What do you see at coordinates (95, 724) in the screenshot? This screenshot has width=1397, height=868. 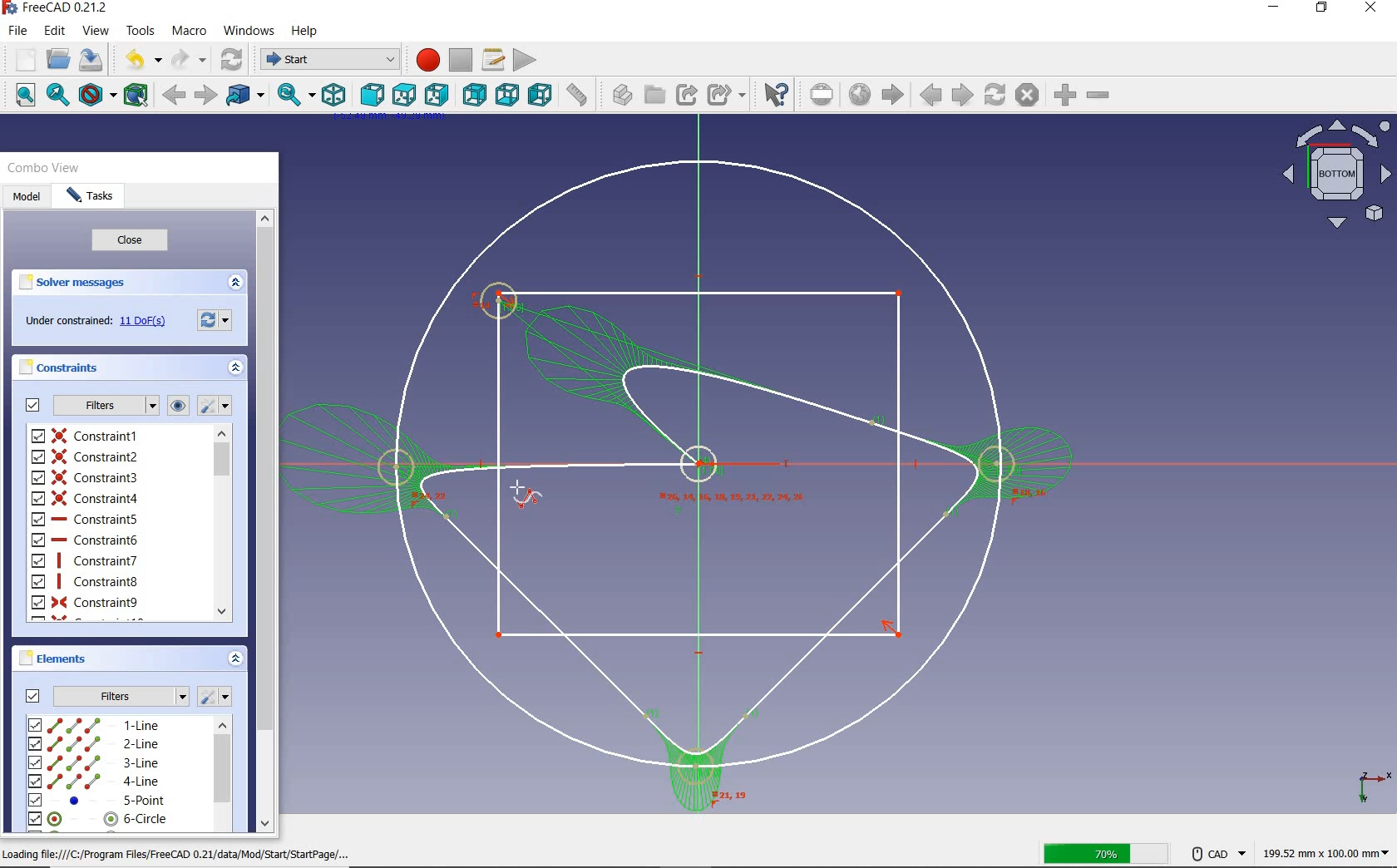 I see `1-line` at bounding box center [95, 724].